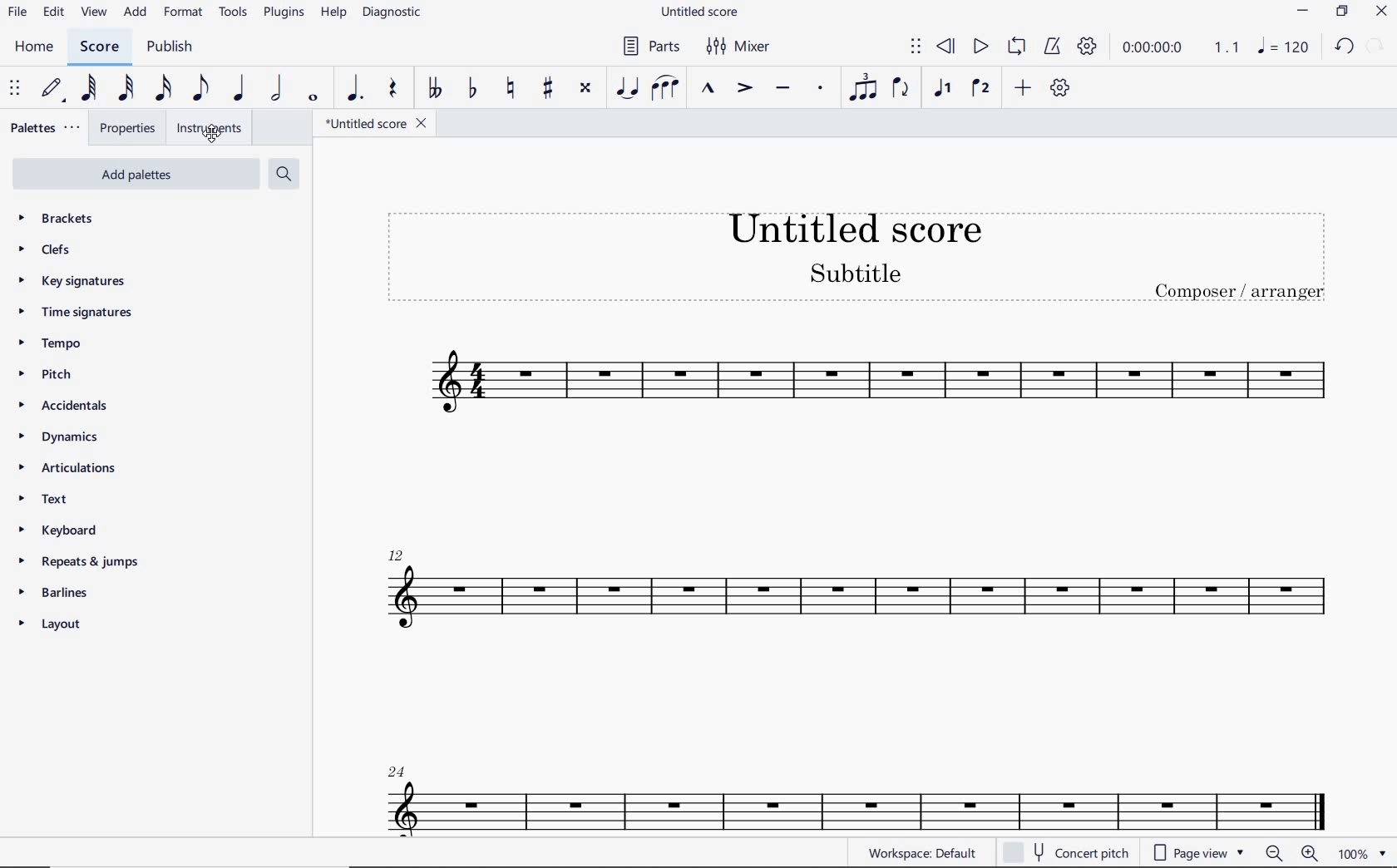 The height and width of the screenshot is (868, 1397). Describe the element at coordinates (375, 124) in the screenshot. I see `file name` at that location.